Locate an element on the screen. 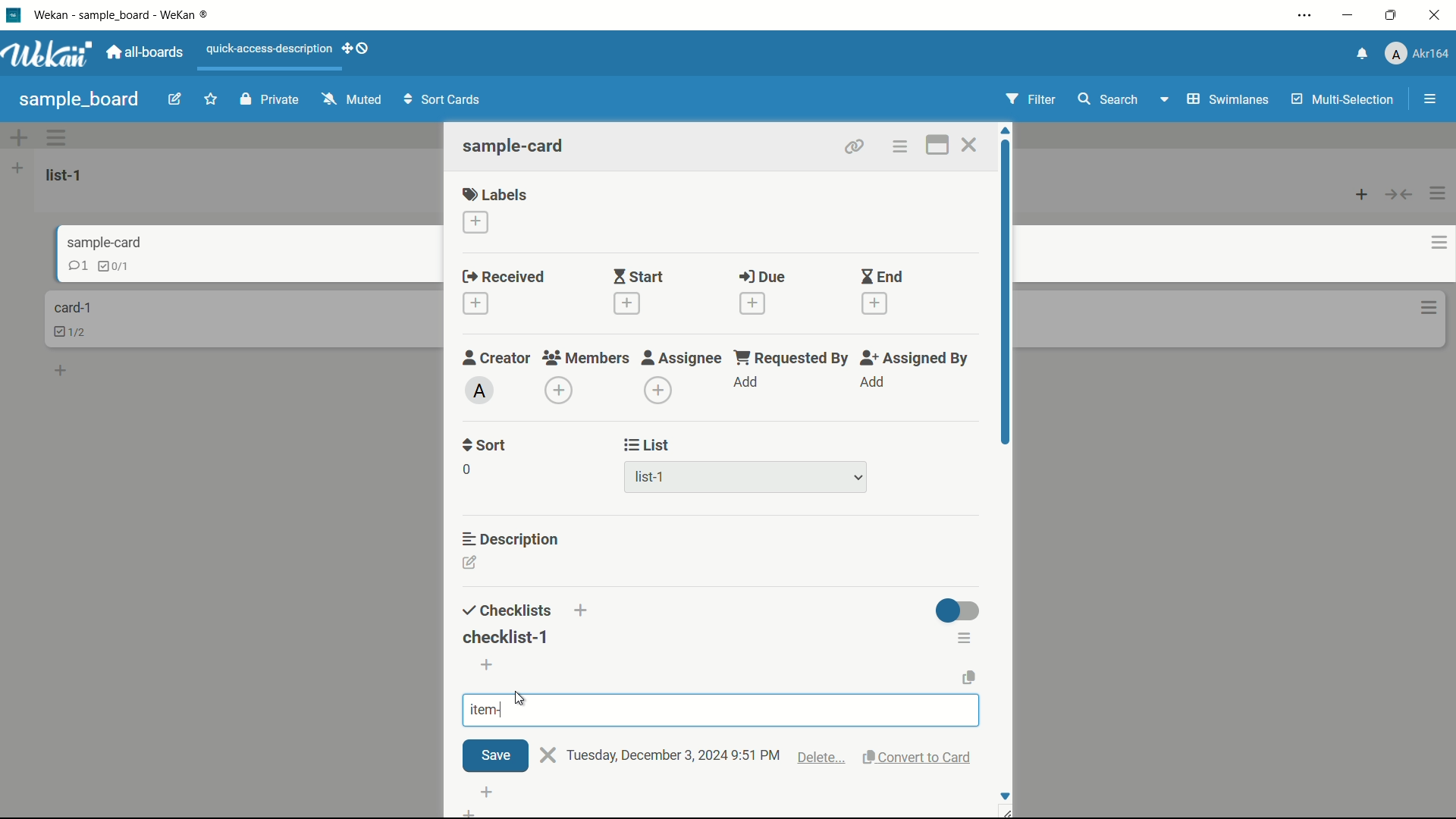 The image size is (1456, 819). item-1 is located at coordinates (501, 709).